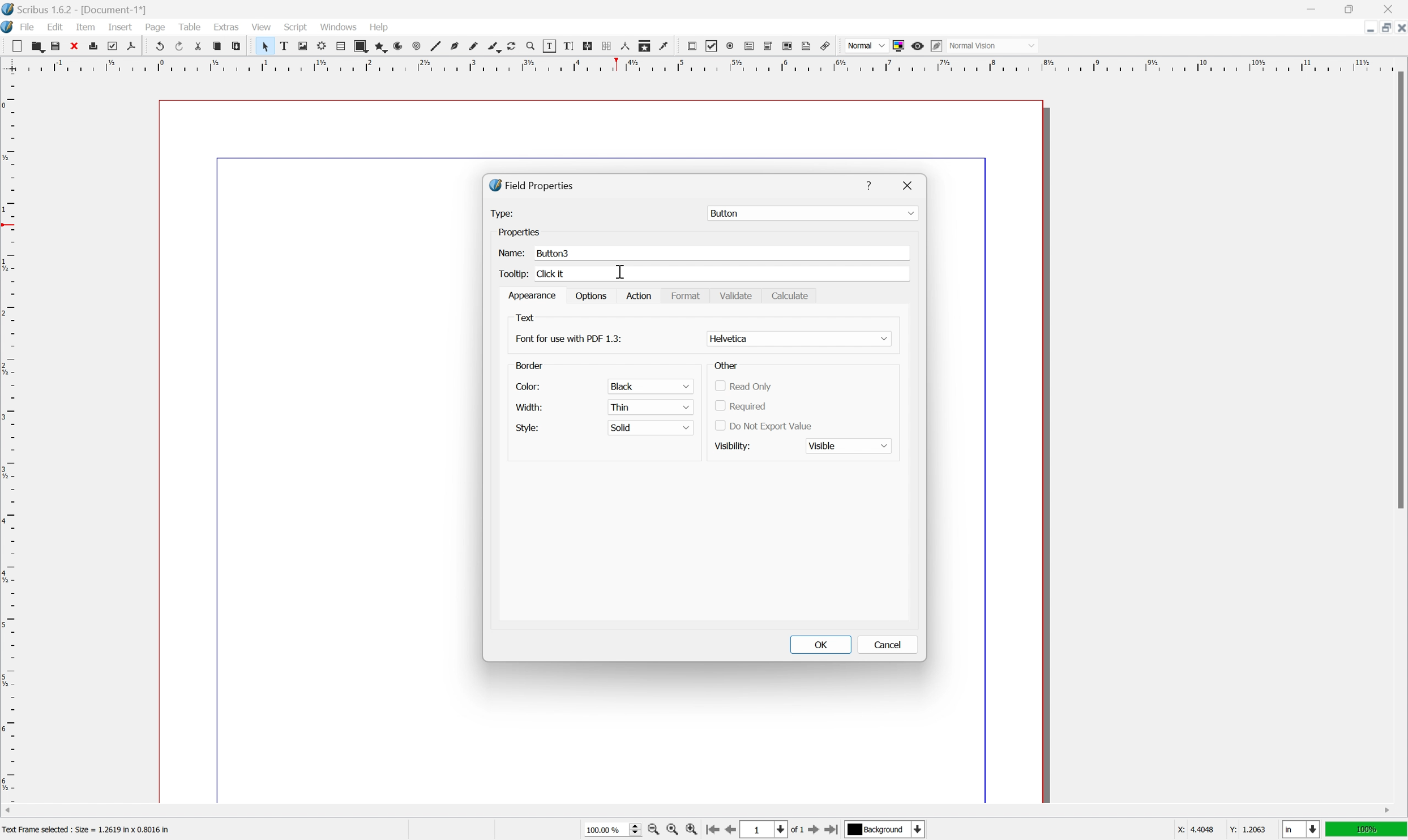 The image size is (1408, 840). I want to click on black, so click(649, 386).